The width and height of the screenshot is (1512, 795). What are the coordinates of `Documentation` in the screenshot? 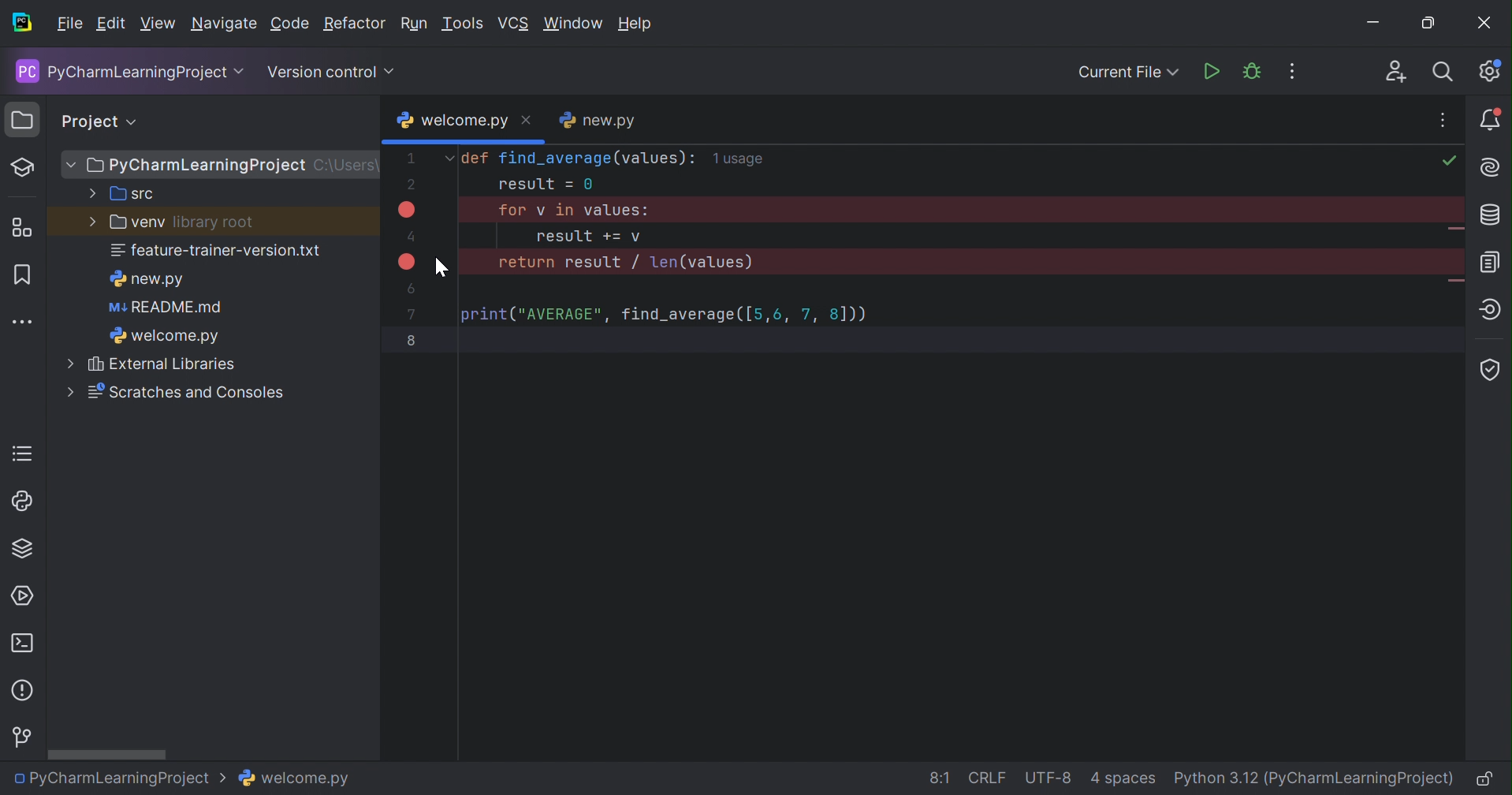 It's located at (1488, 262).